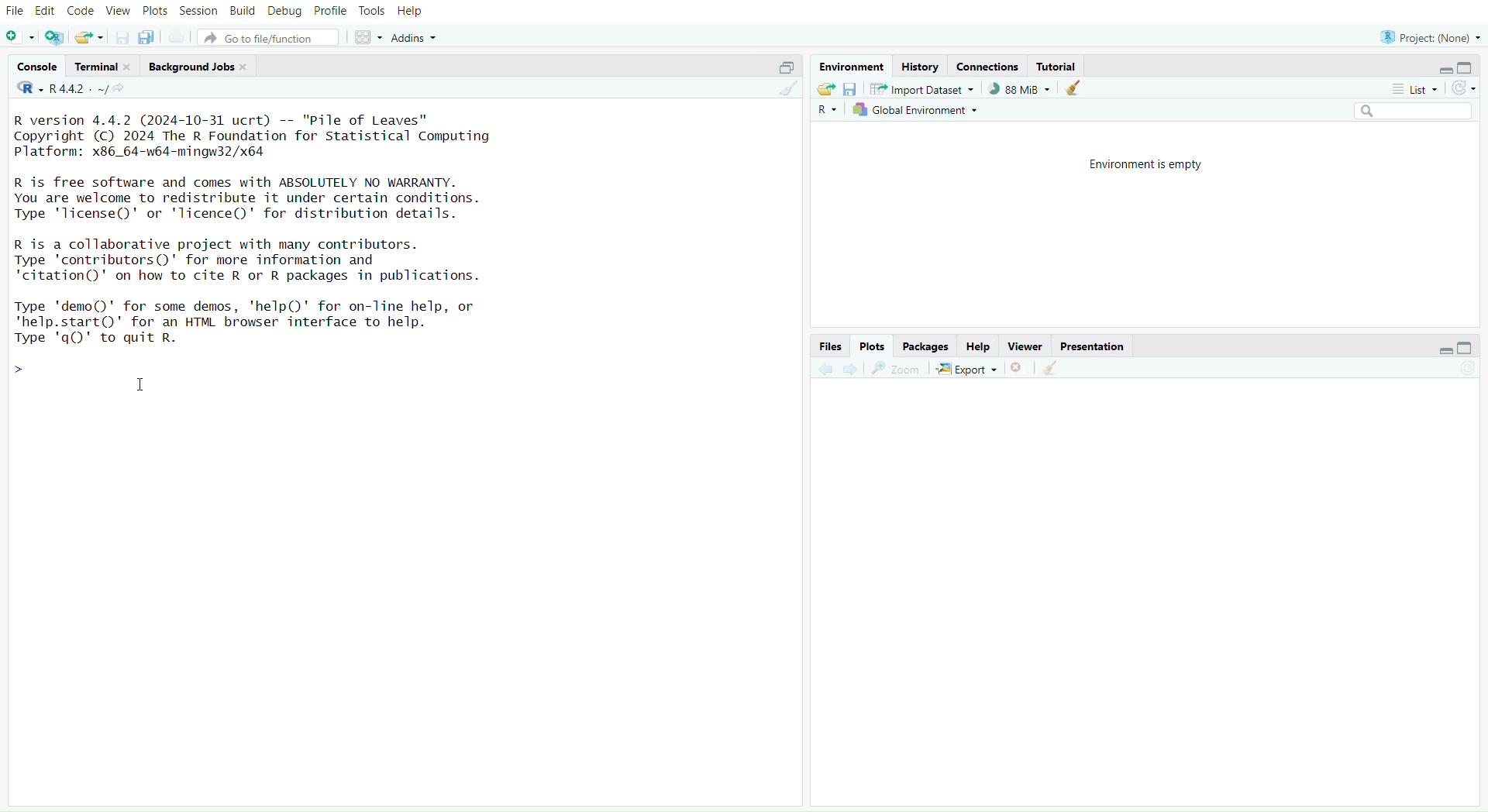 The width and height of the screenshot is (1488, 812). Describe the element at coordinates (201, 12) in the screenshot. I see `session` at that location.